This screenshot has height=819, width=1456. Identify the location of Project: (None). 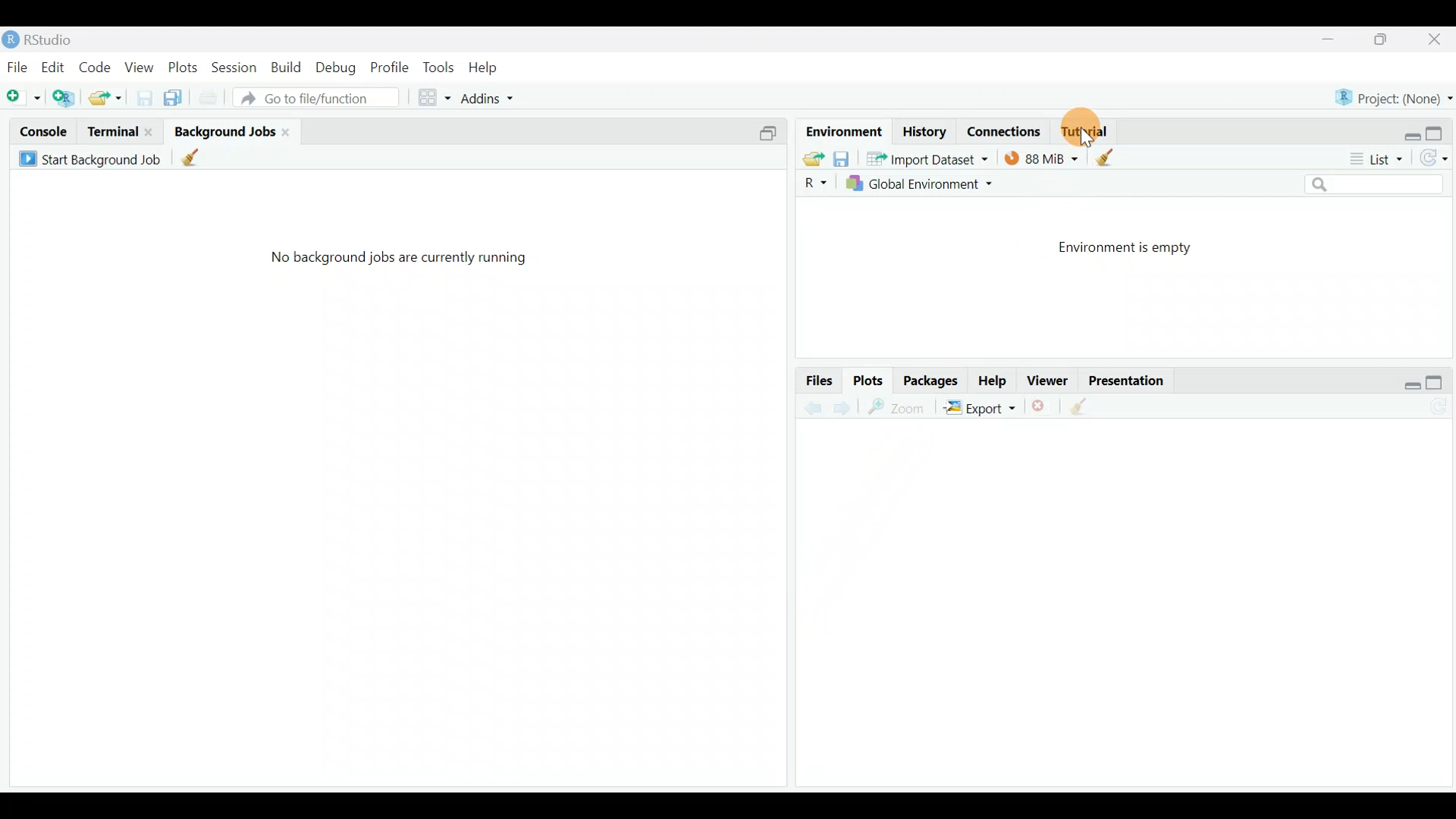
(1392, 98).